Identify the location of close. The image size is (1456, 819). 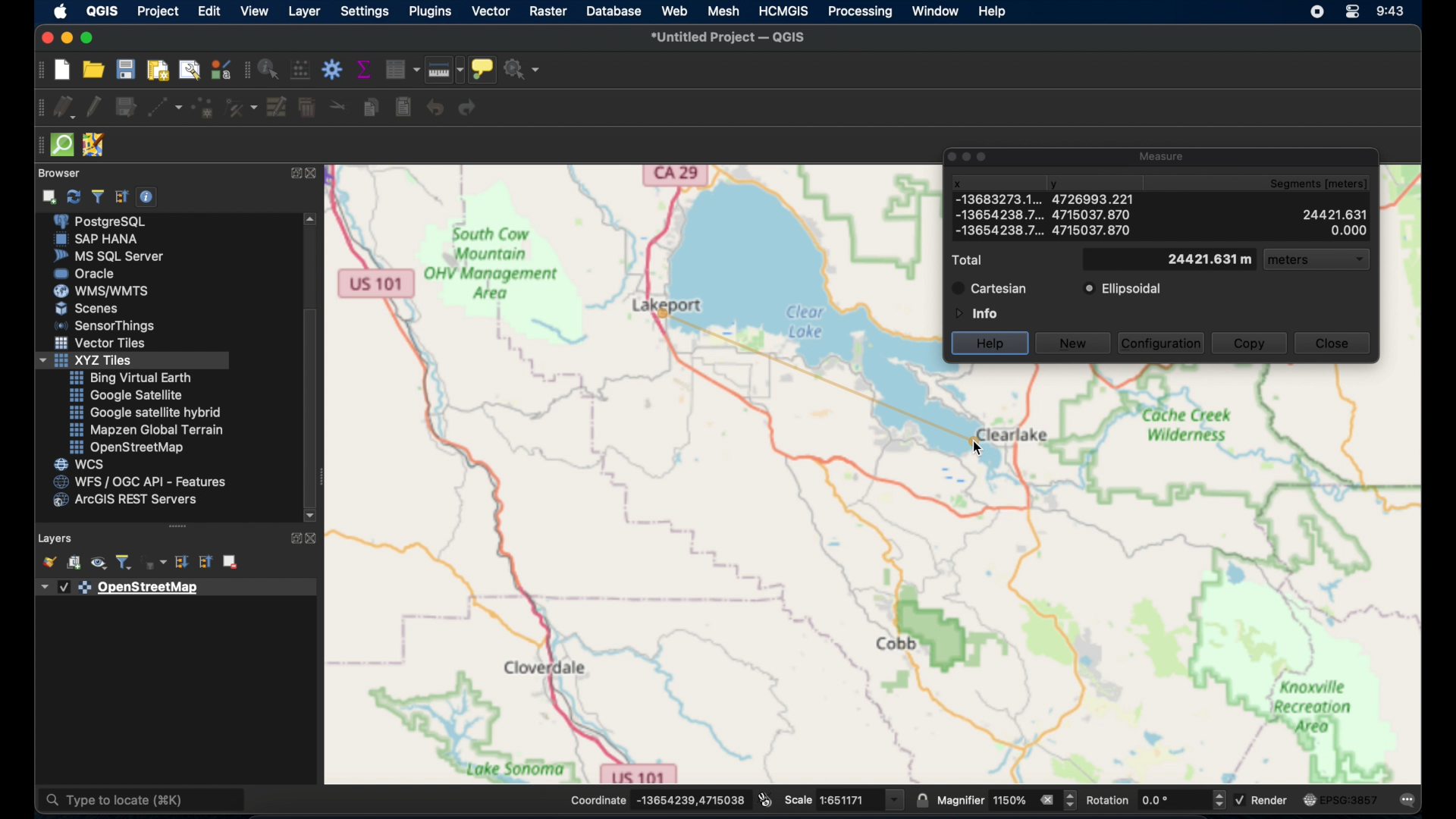
(1332, 343).